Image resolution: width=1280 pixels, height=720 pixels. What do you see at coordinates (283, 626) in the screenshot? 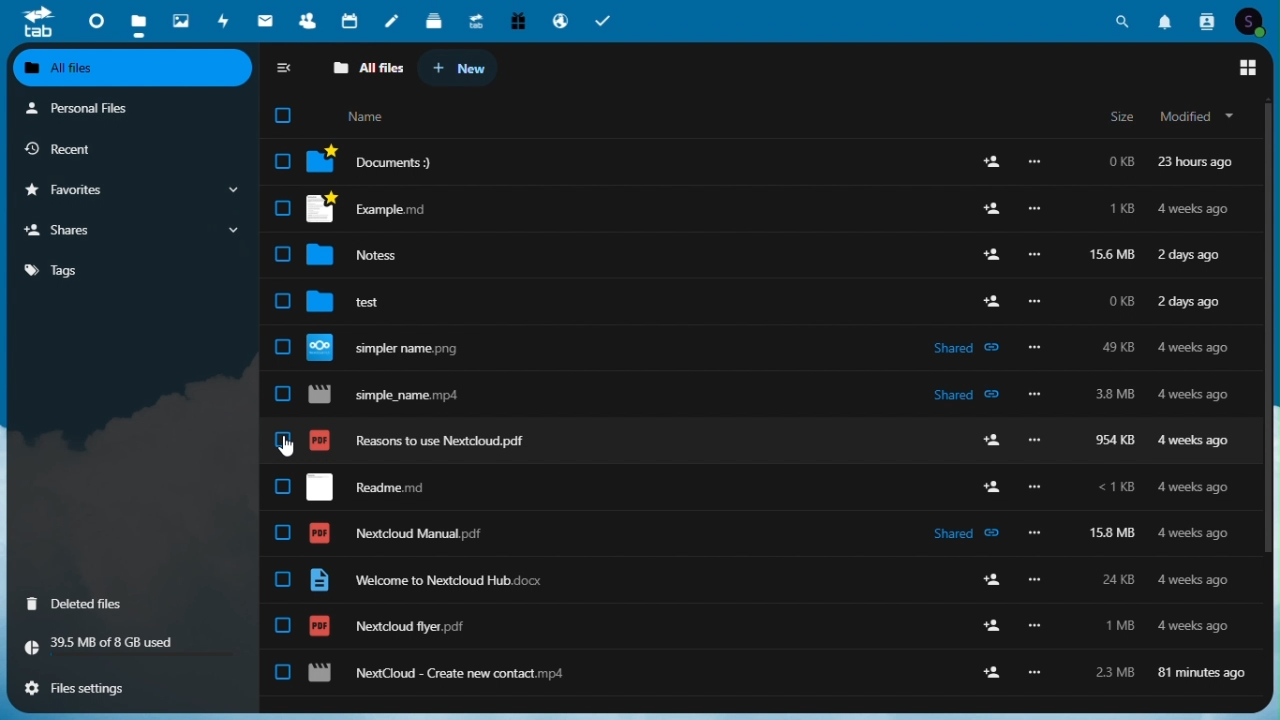
I see `checkbox` at bounding box center [283, 626].